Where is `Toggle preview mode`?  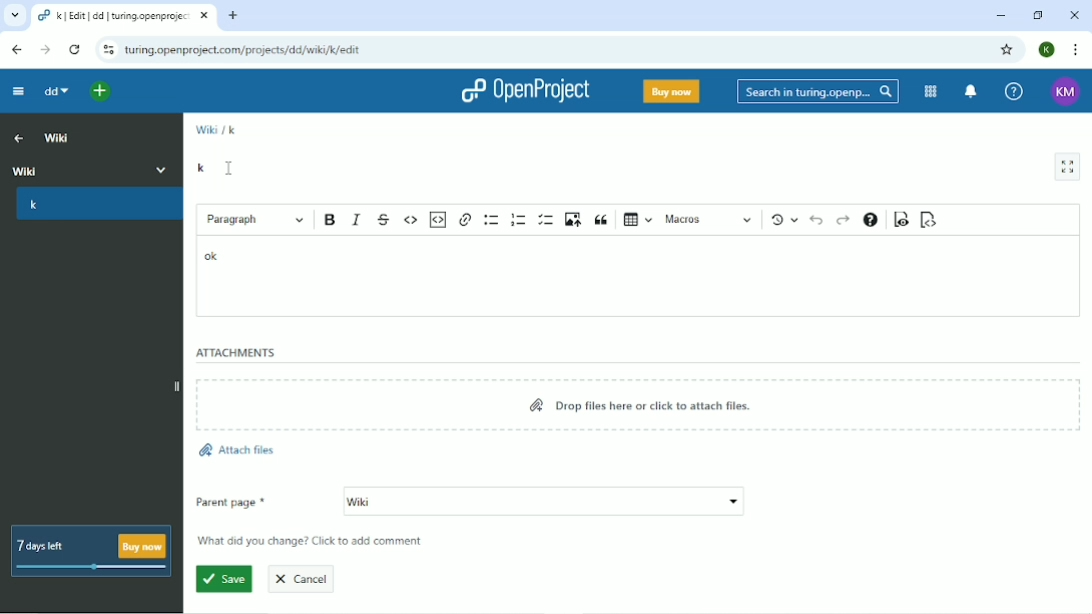 Toggle preview mode is located at coordinates (901, 220).